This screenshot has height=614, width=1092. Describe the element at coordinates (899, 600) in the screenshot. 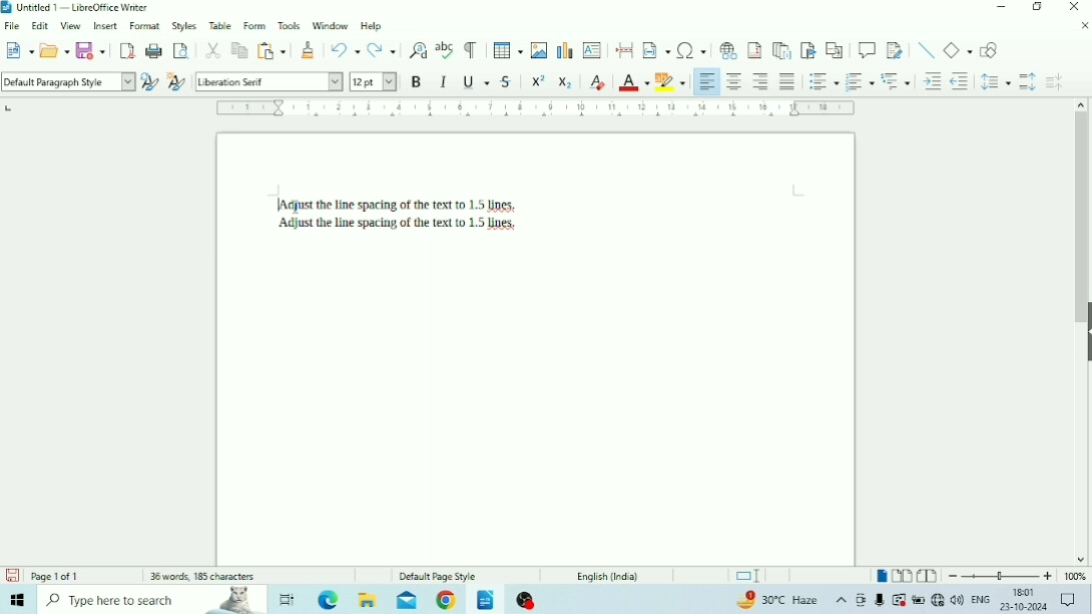

I see `Warning` at that location.